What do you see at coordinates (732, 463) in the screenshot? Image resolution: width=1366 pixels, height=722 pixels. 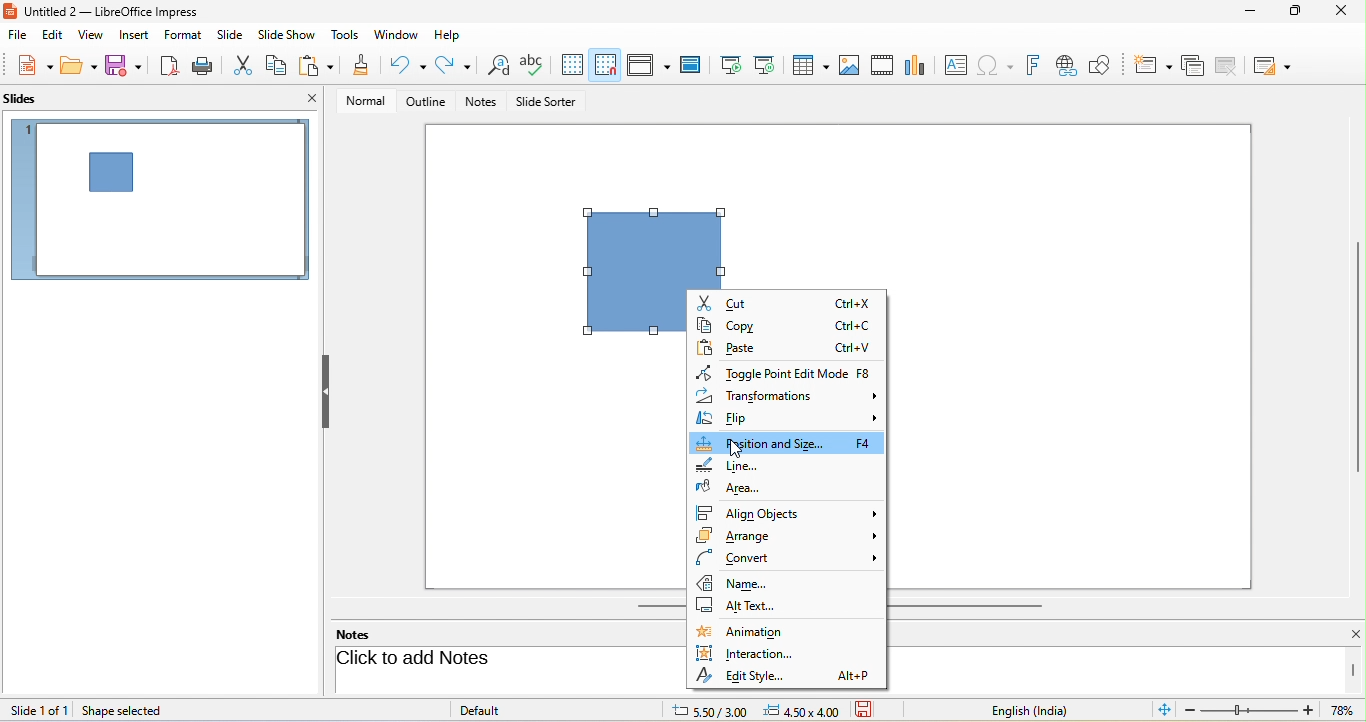 I see `line` at bounding box center [732, 463].